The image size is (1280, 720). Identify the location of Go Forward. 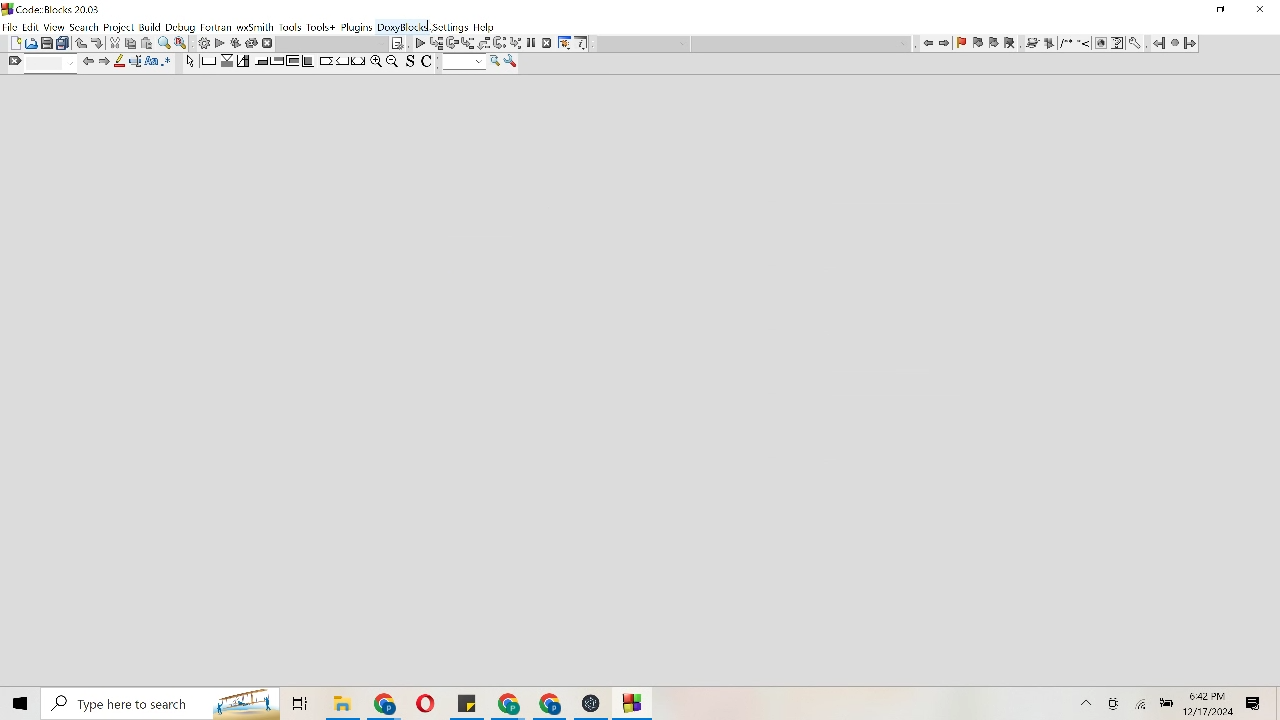
(1190, 43).